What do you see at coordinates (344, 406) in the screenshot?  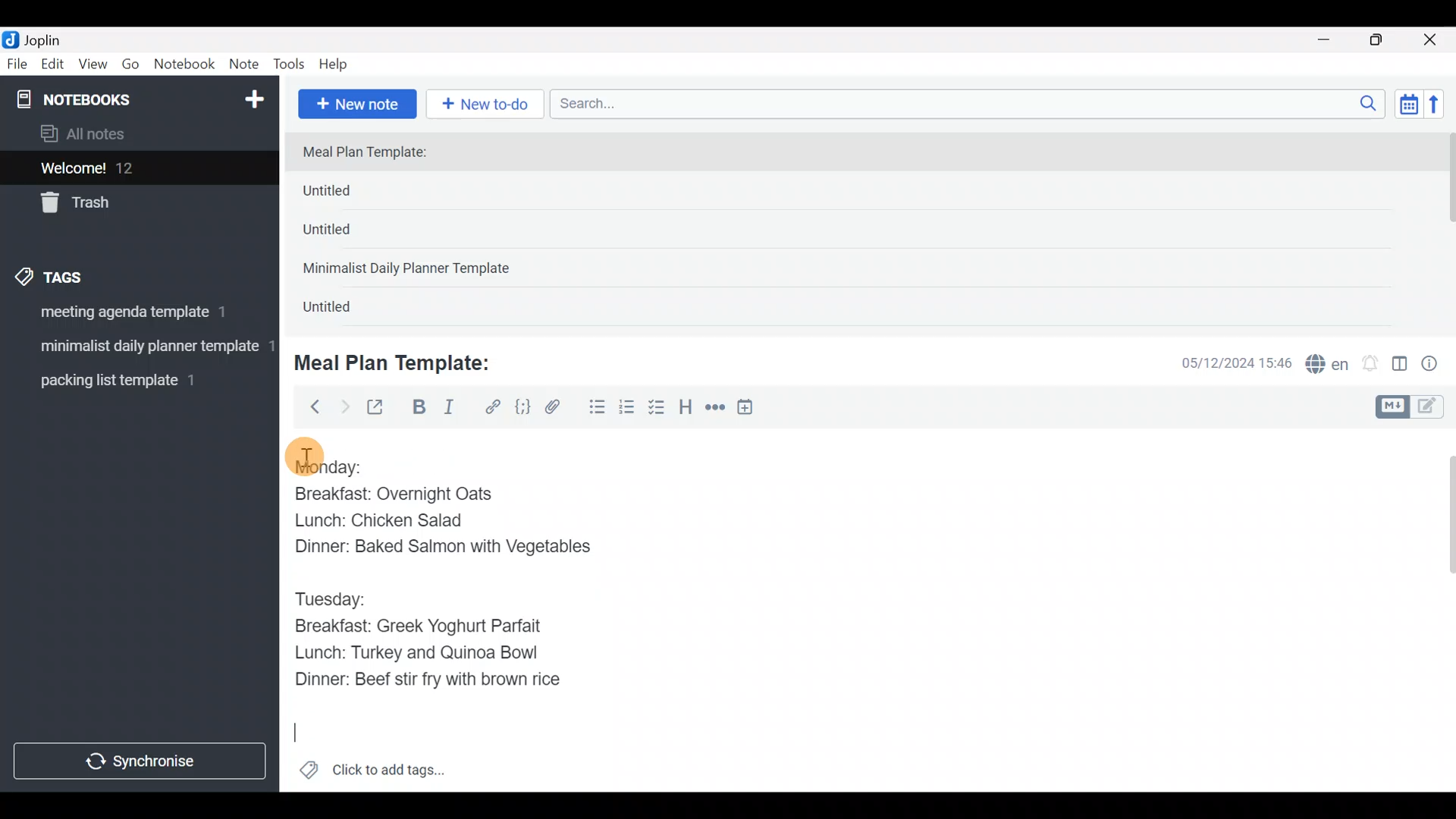 I see `Forward` at bounding box center [344, 406].